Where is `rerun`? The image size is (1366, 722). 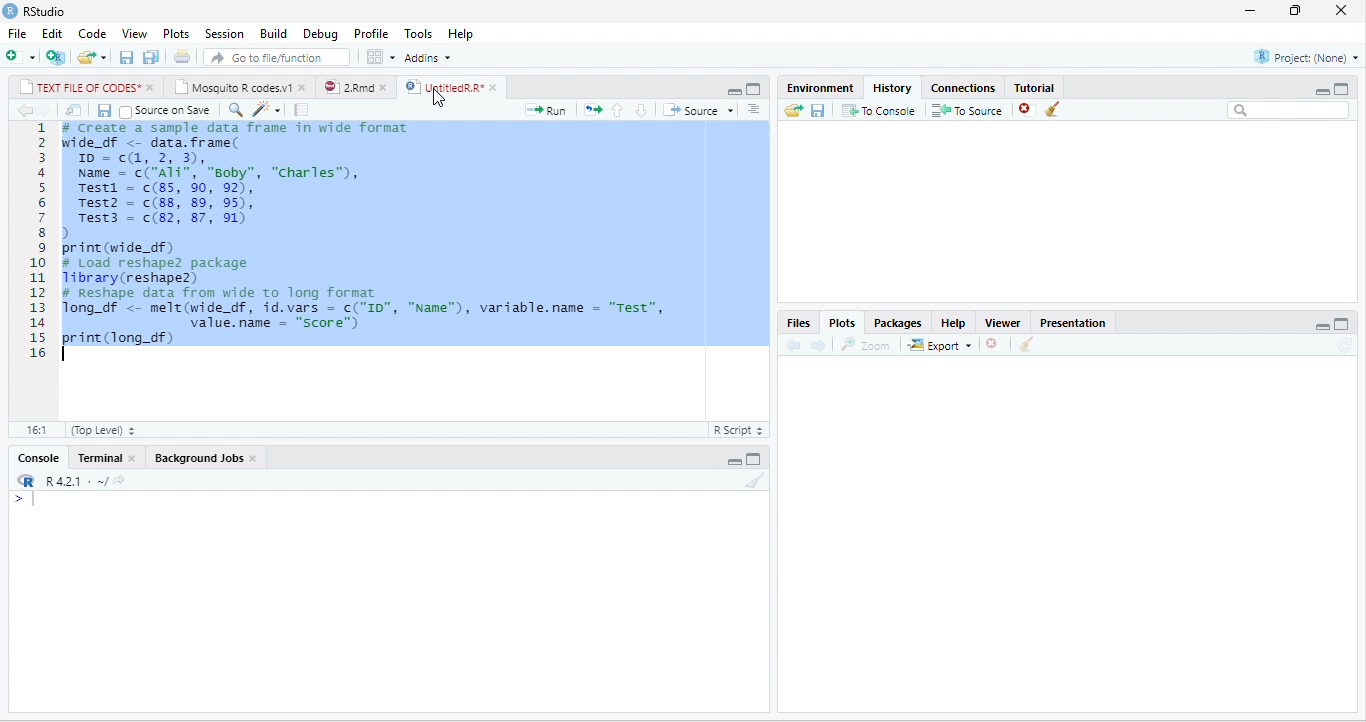
rerun is located at coordinates (593, 110).